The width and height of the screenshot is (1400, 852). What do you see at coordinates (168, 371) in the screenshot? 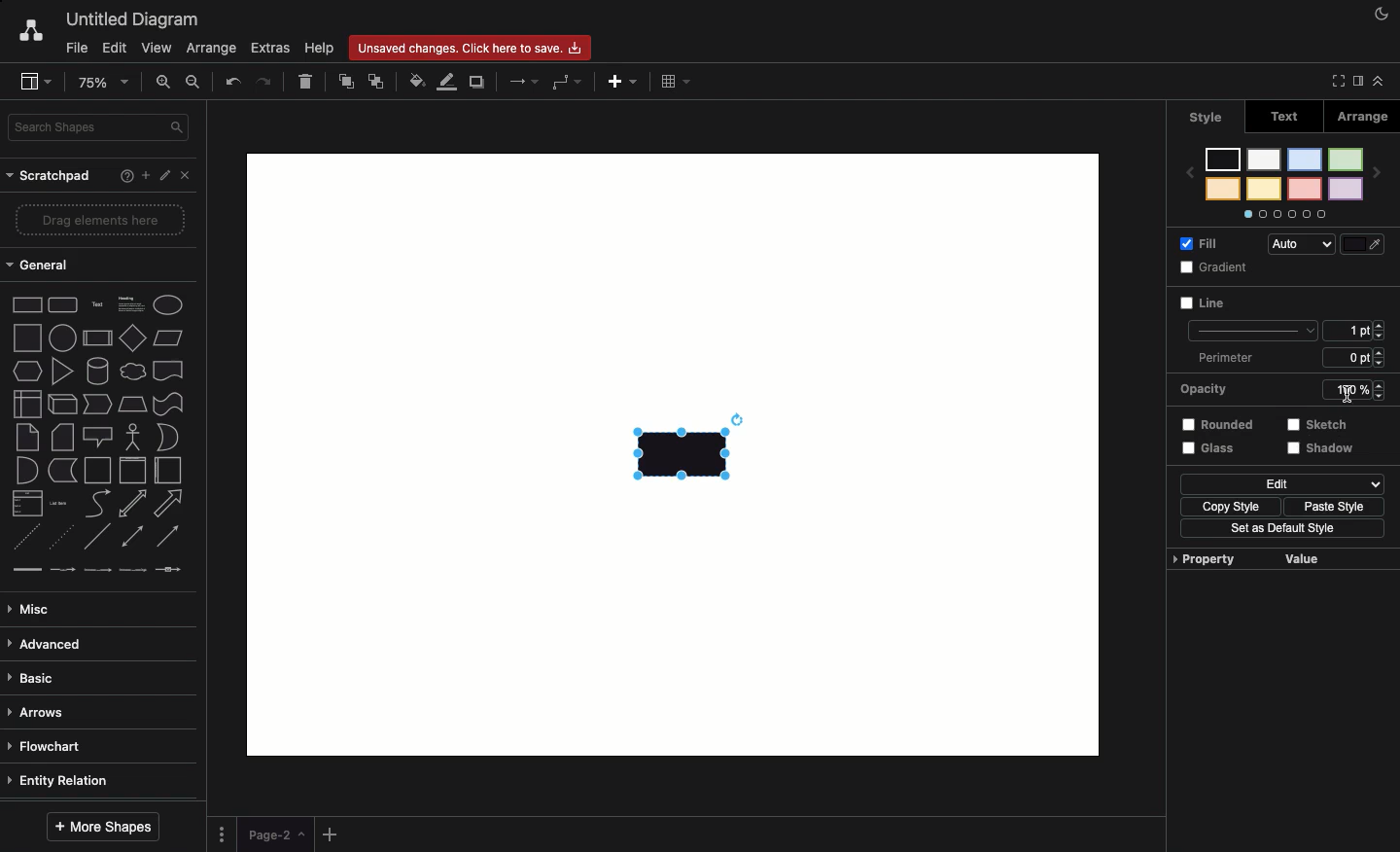
I see `document ` at bounding box center [168, 371].